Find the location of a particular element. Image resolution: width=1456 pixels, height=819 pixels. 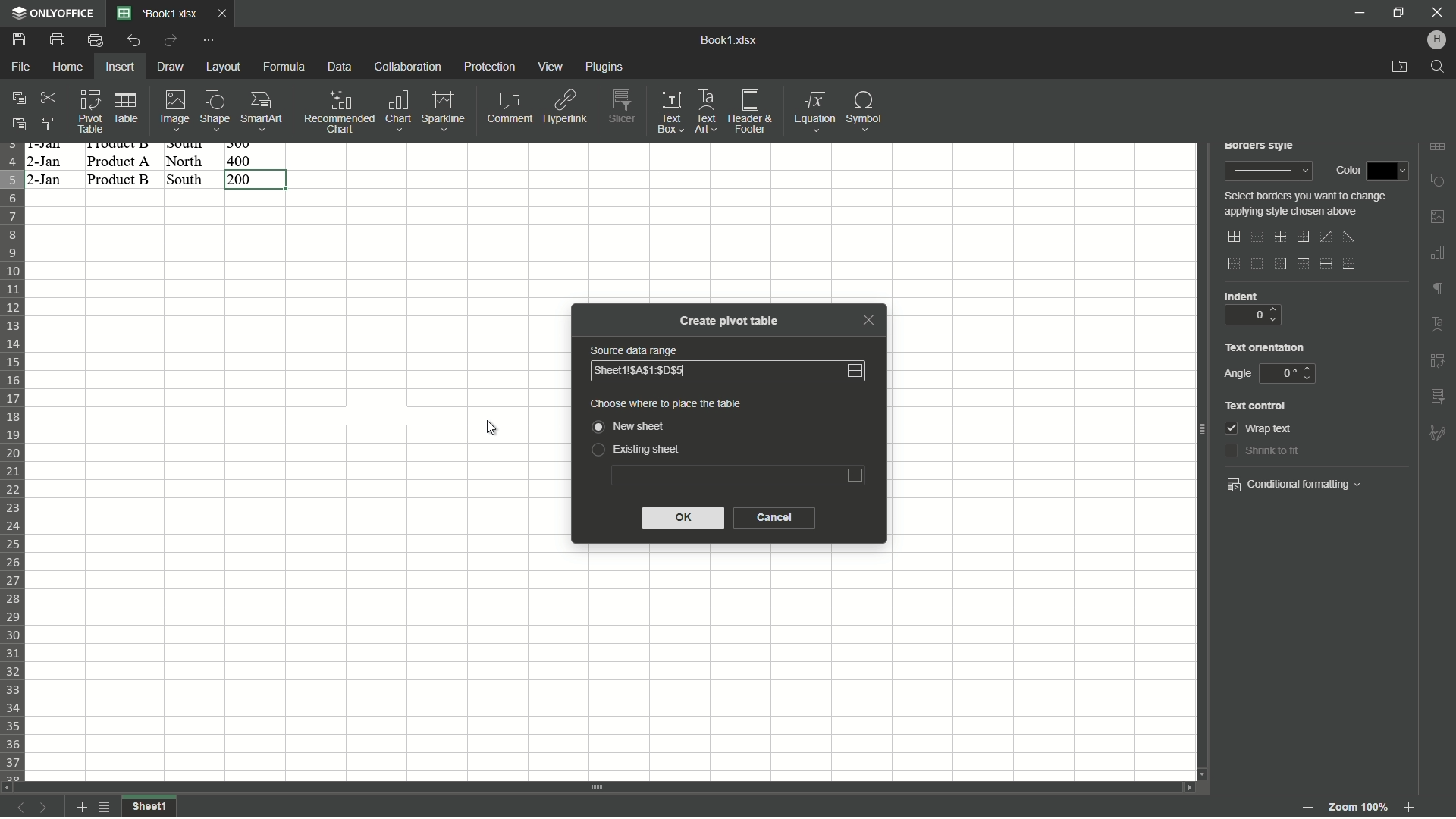

insert table is located at coordinates (1439, 146).